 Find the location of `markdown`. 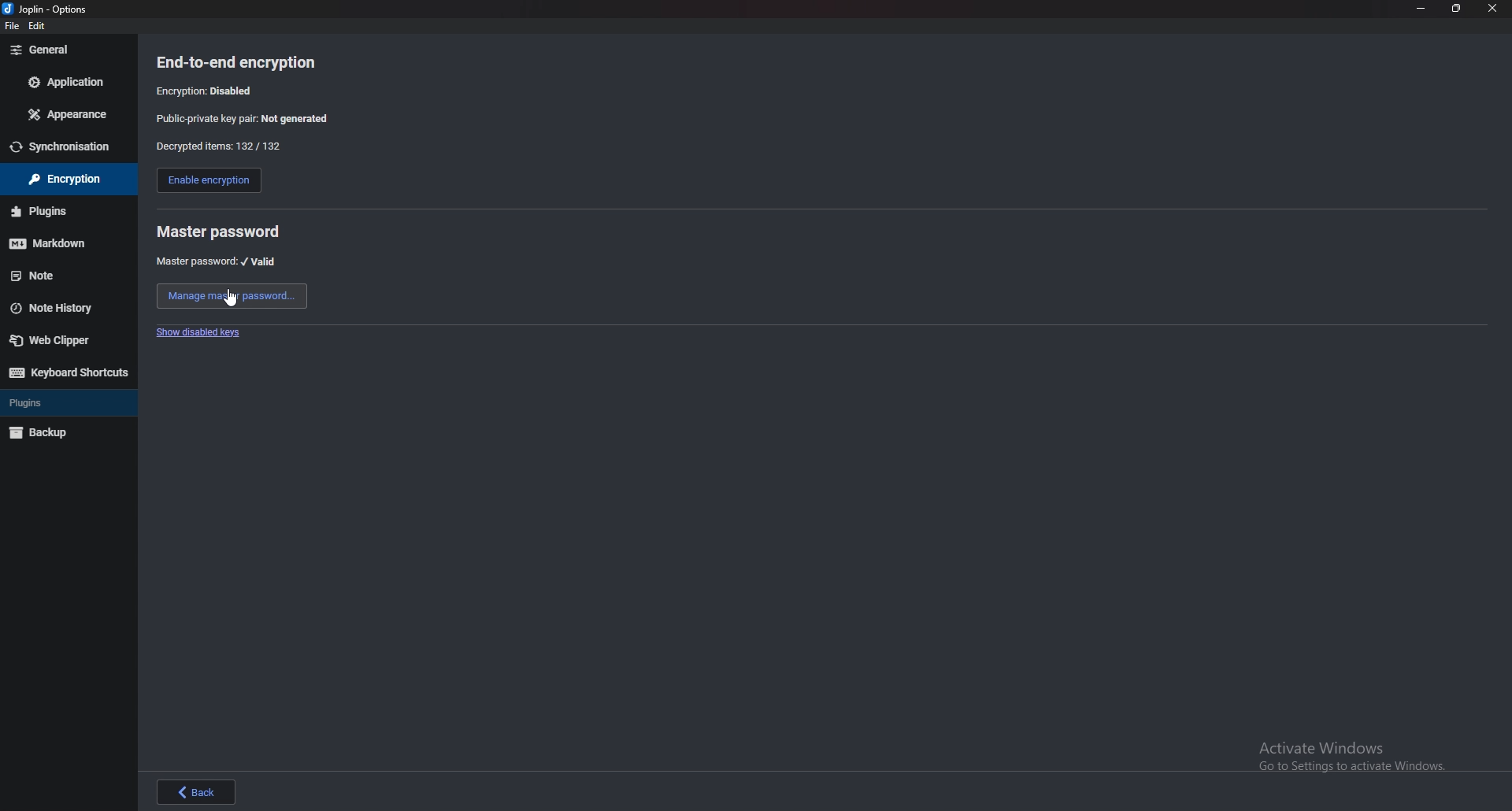

markdown is located at coordinates (63, 243).